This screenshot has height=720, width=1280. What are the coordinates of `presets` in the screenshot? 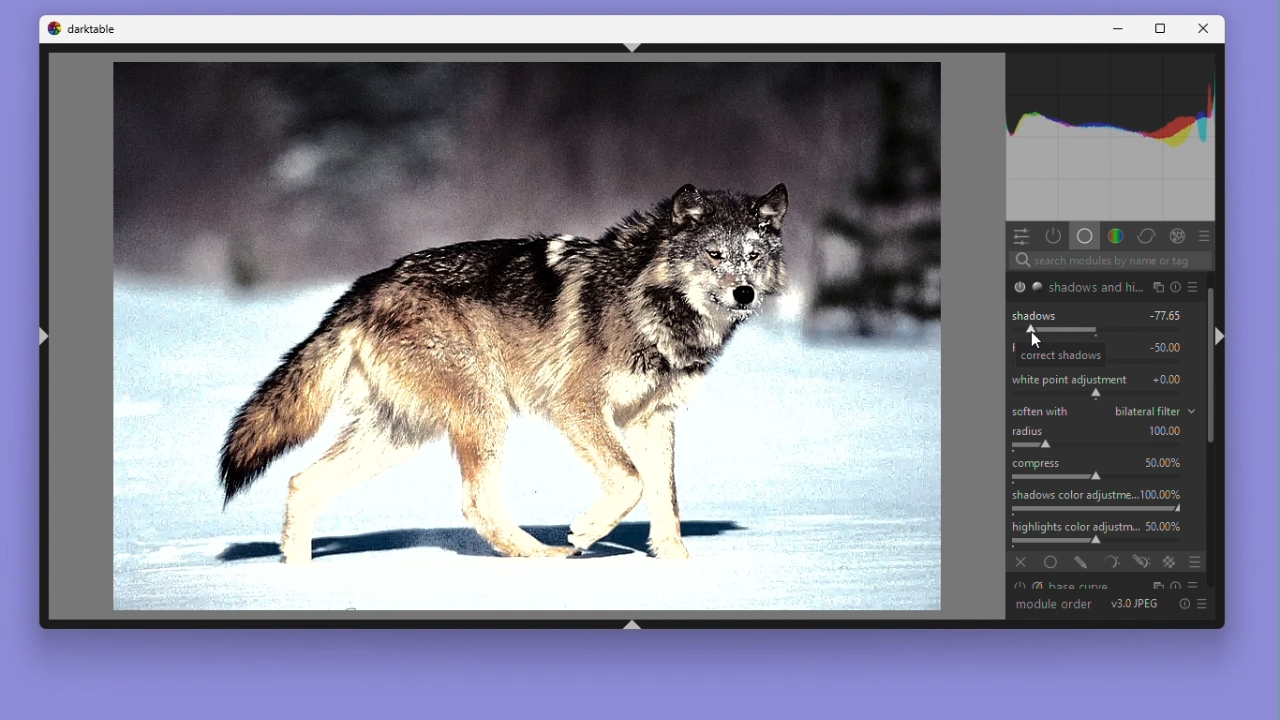 It's located at (1192, 289).